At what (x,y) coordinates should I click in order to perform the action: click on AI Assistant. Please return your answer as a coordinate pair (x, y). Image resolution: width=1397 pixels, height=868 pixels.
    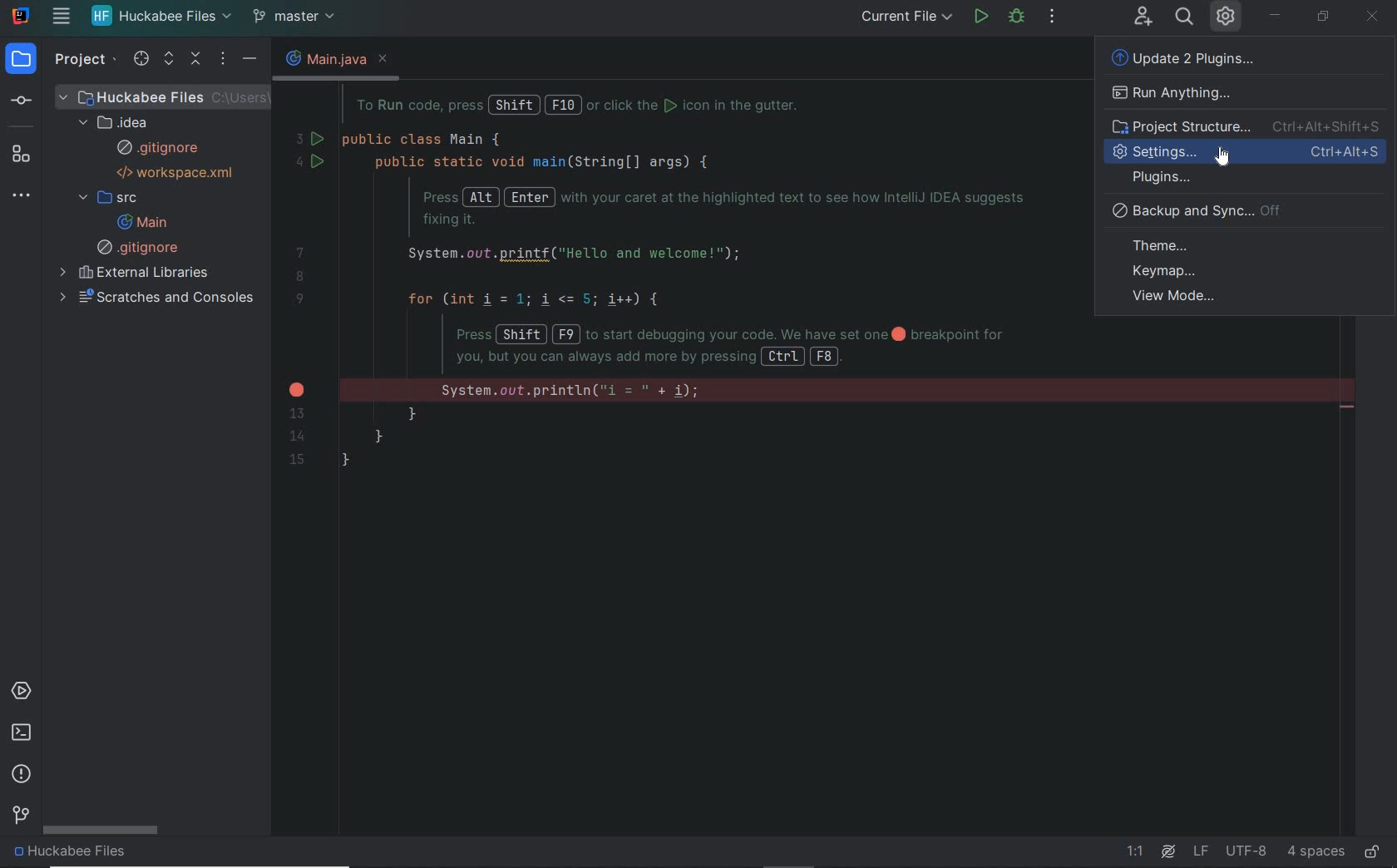
    Looking at the image, I should click on (1168, 851).